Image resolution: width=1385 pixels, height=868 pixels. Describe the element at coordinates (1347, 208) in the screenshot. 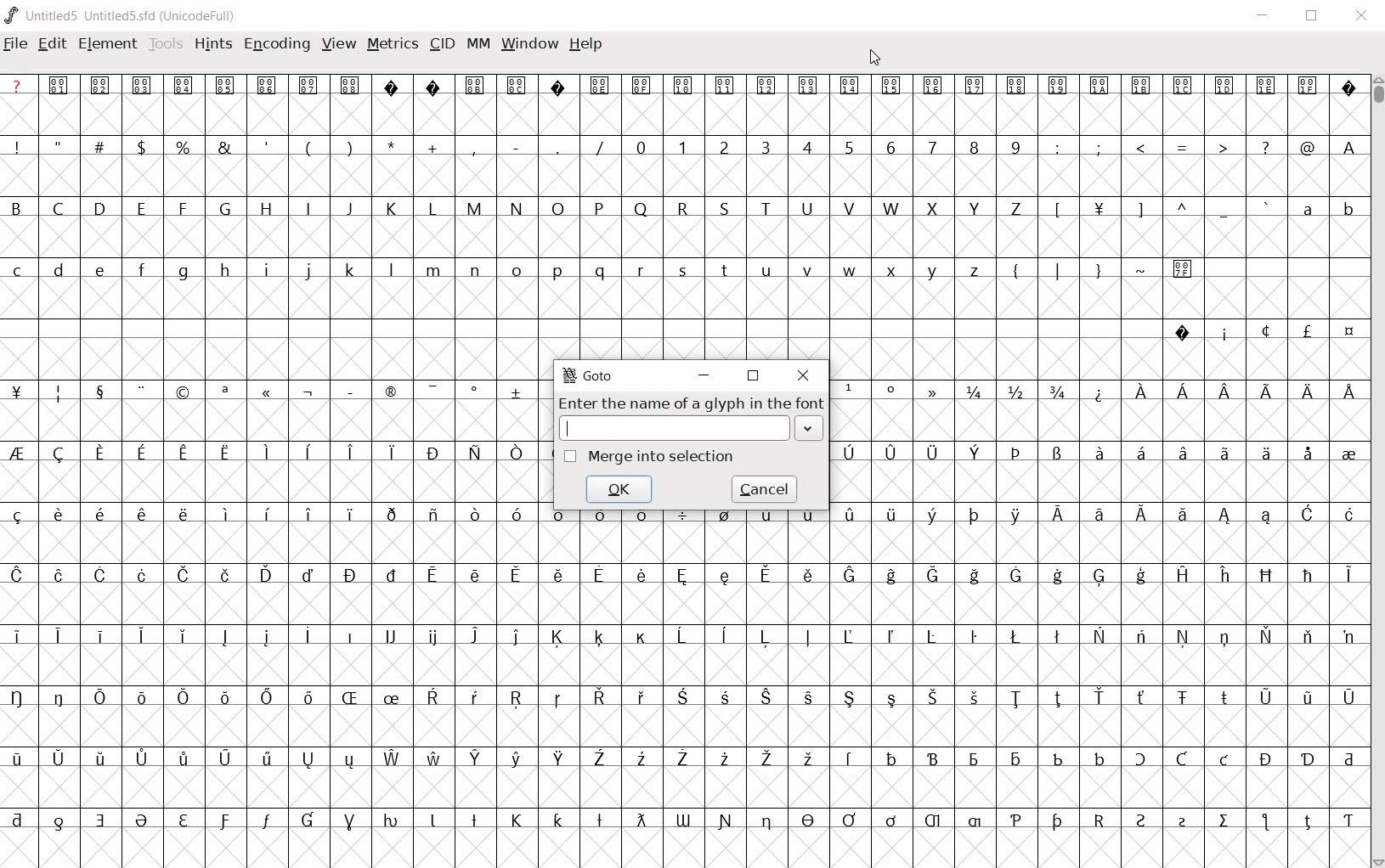

I see `b` at that location.